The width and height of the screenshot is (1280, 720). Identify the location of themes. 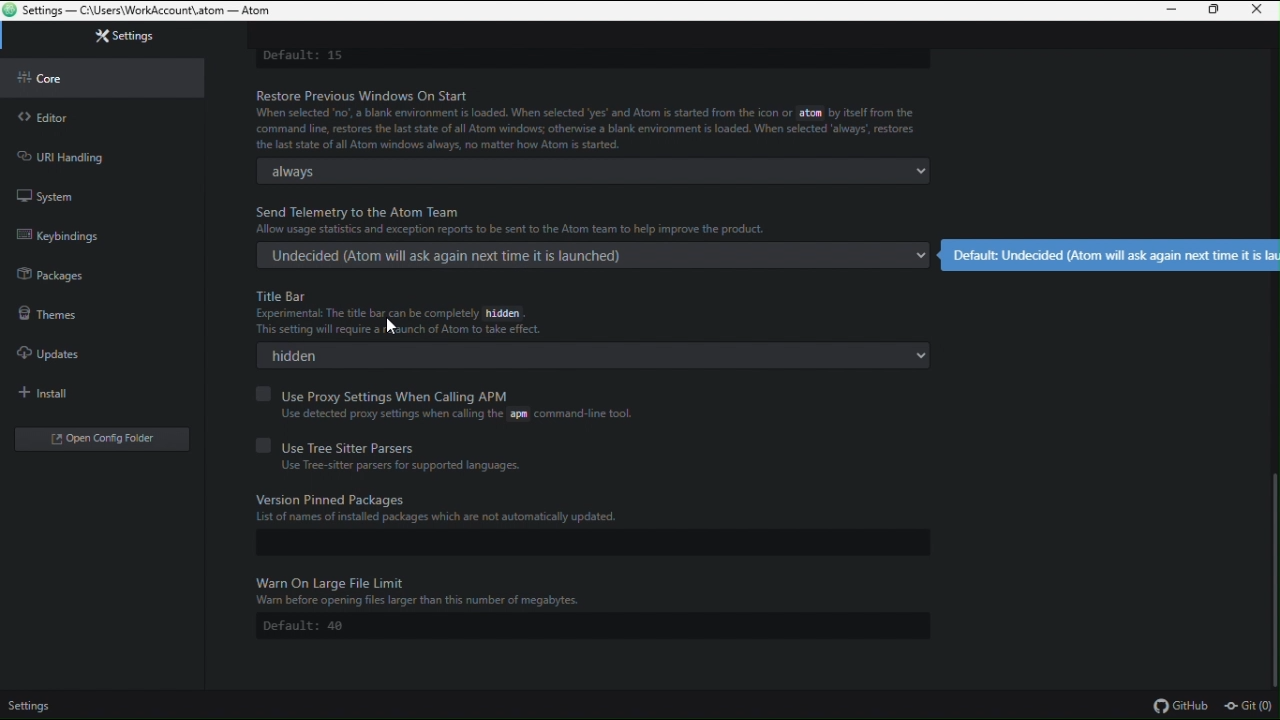
(94, 310).